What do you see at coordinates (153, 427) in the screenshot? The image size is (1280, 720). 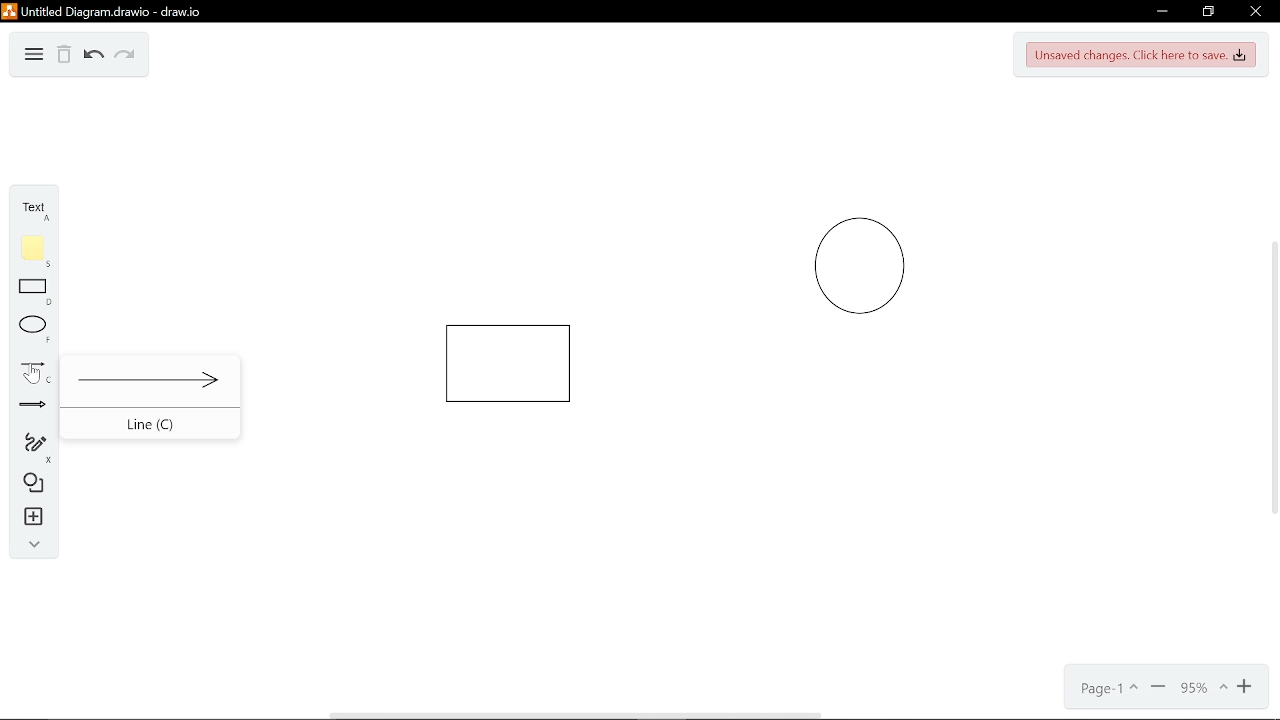 I see `Line (C)` at bounding box center [153, 427].